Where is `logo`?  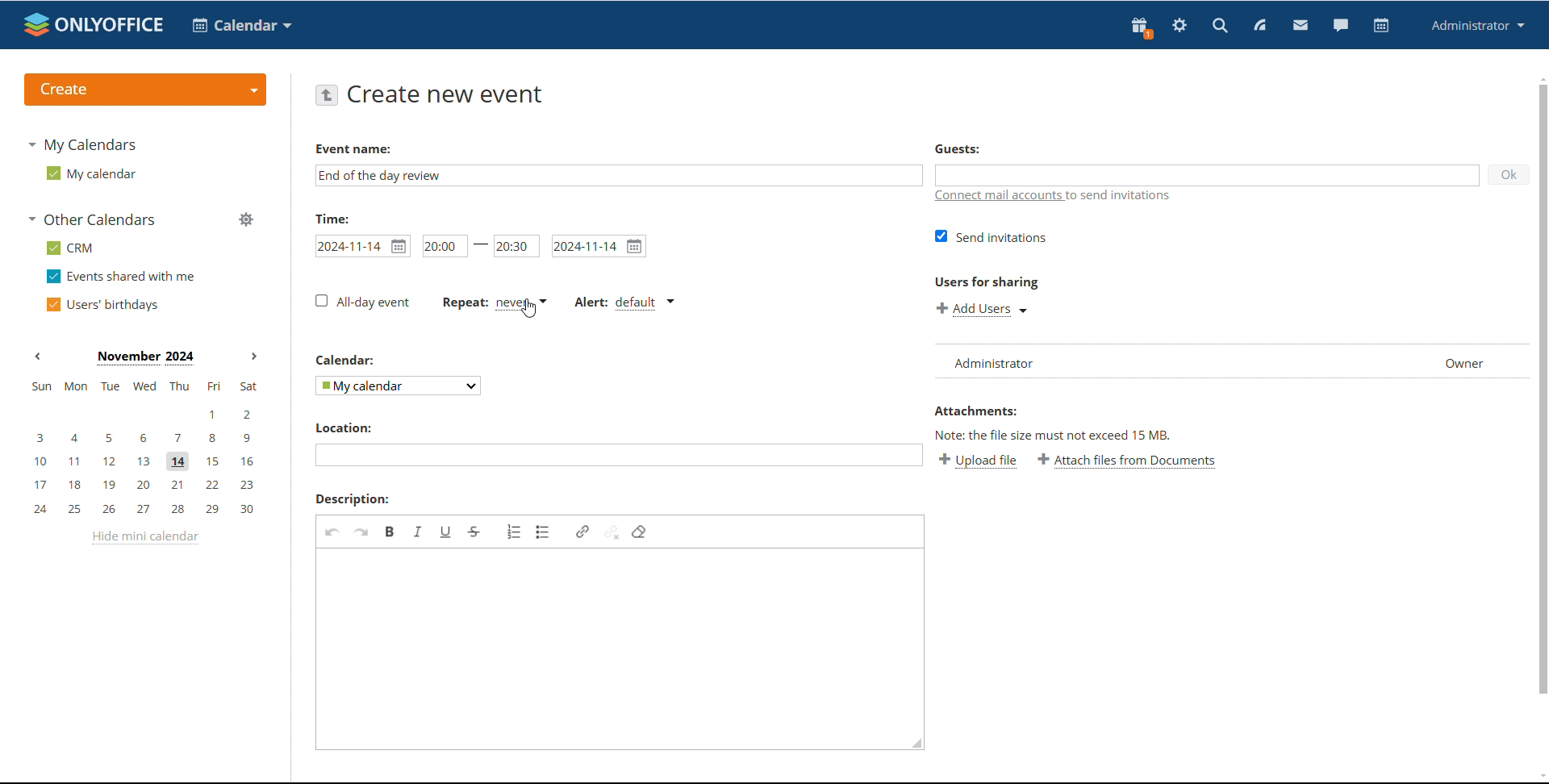 logo is located at coordinates (94, 24).